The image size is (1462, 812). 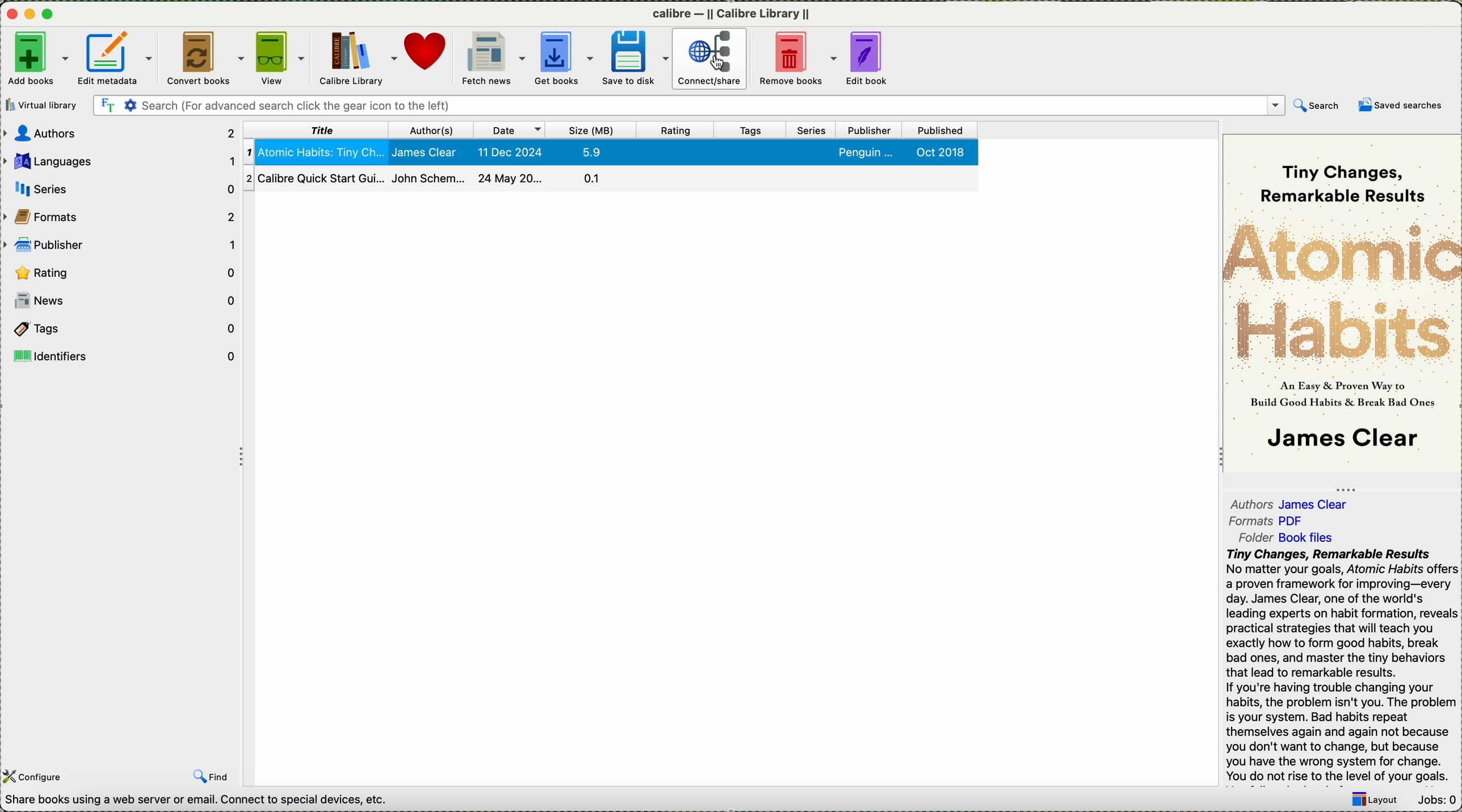 What do you see at coordinates (812, 129) in the screenshot?
I see `series` at bounding box center [812, 129].